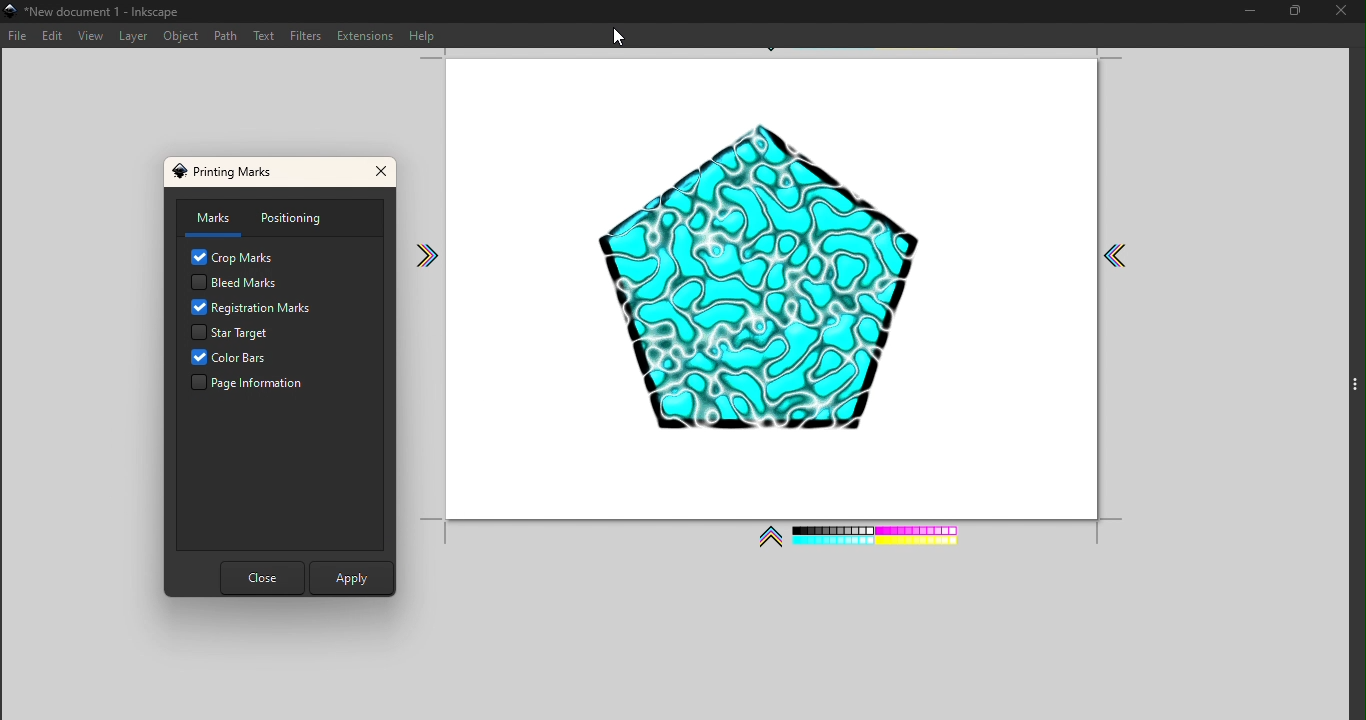 Image resolution: width=1366 pixels, height=720 pixels. What do you see at coordinates (211, 219) in the screenshot?
I see `Marks` at bounding box center [211, 219].